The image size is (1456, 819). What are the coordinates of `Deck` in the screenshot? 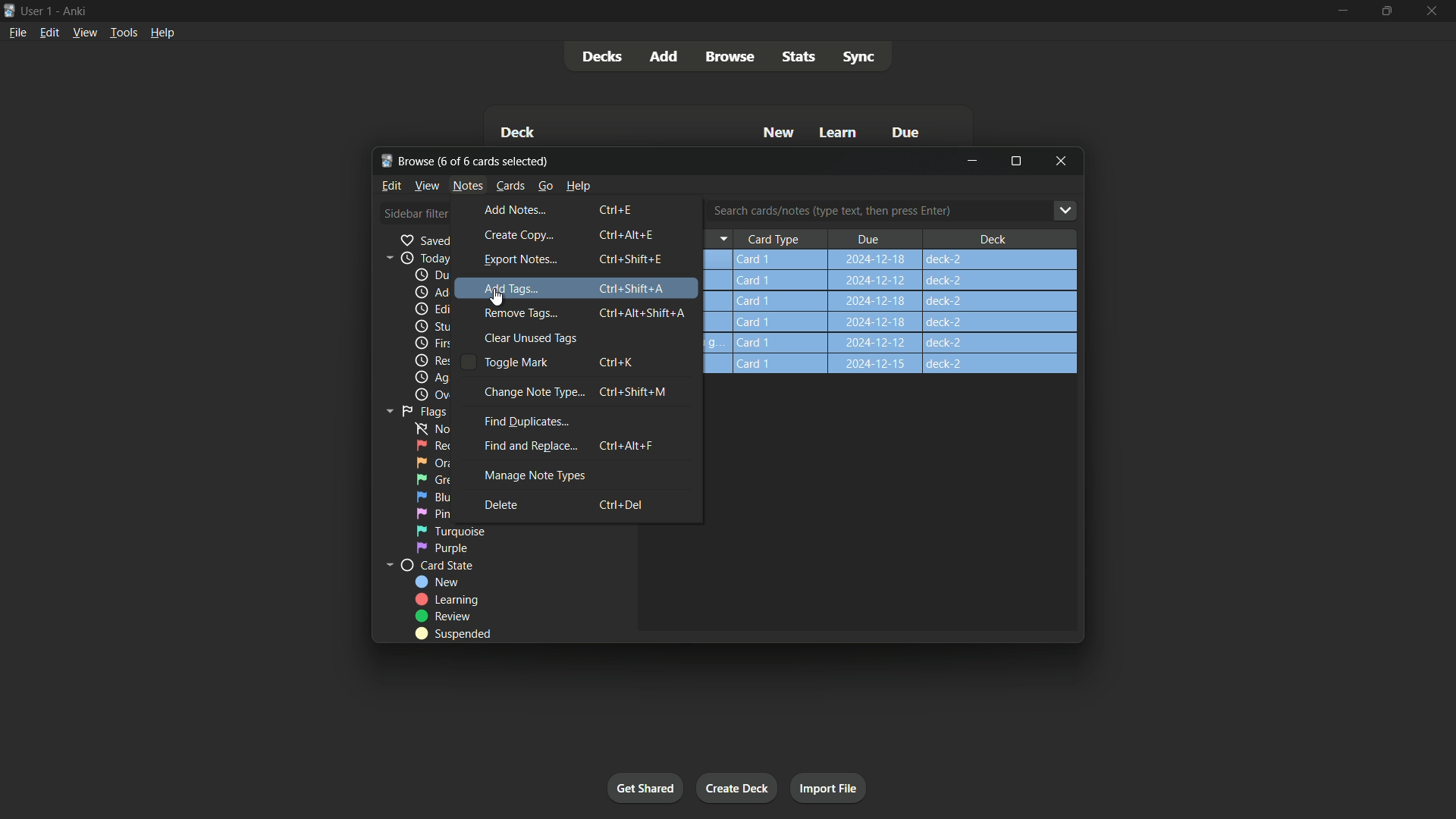 It's located at (519, 132).